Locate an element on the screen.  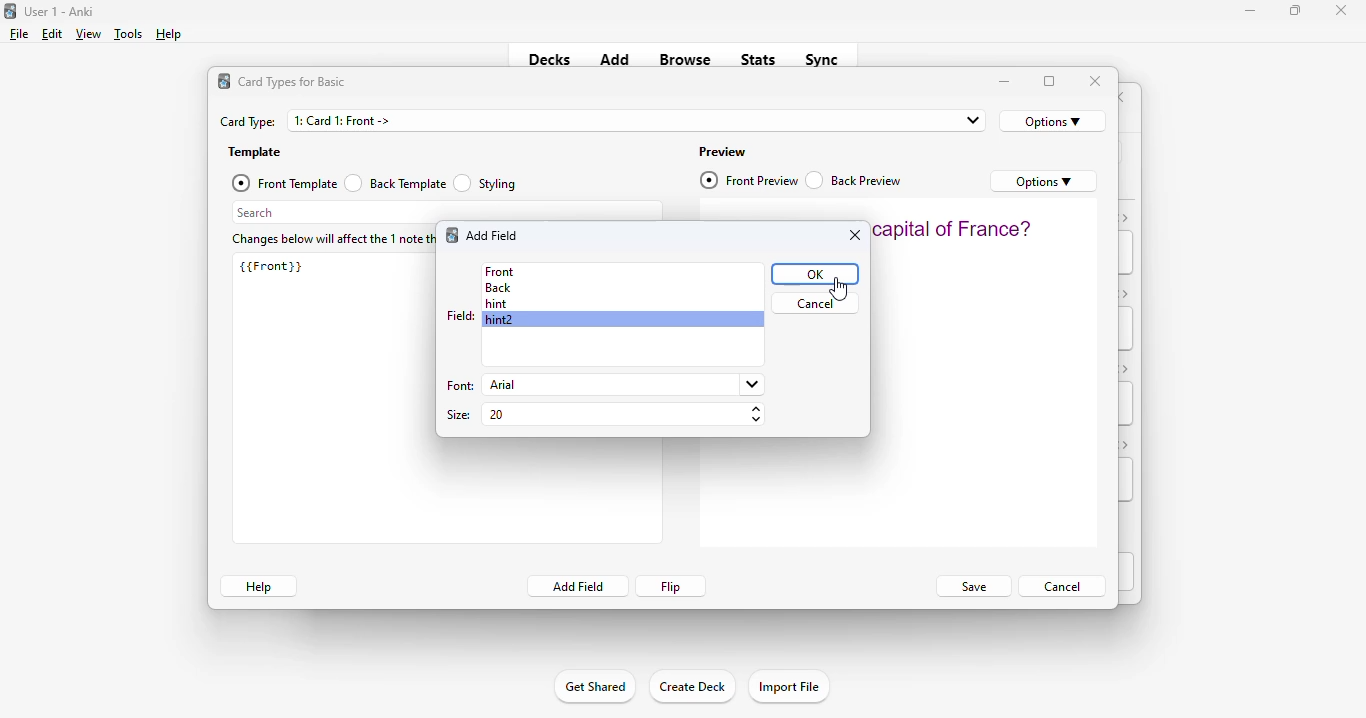
import file is located at coordinates (788, 687).